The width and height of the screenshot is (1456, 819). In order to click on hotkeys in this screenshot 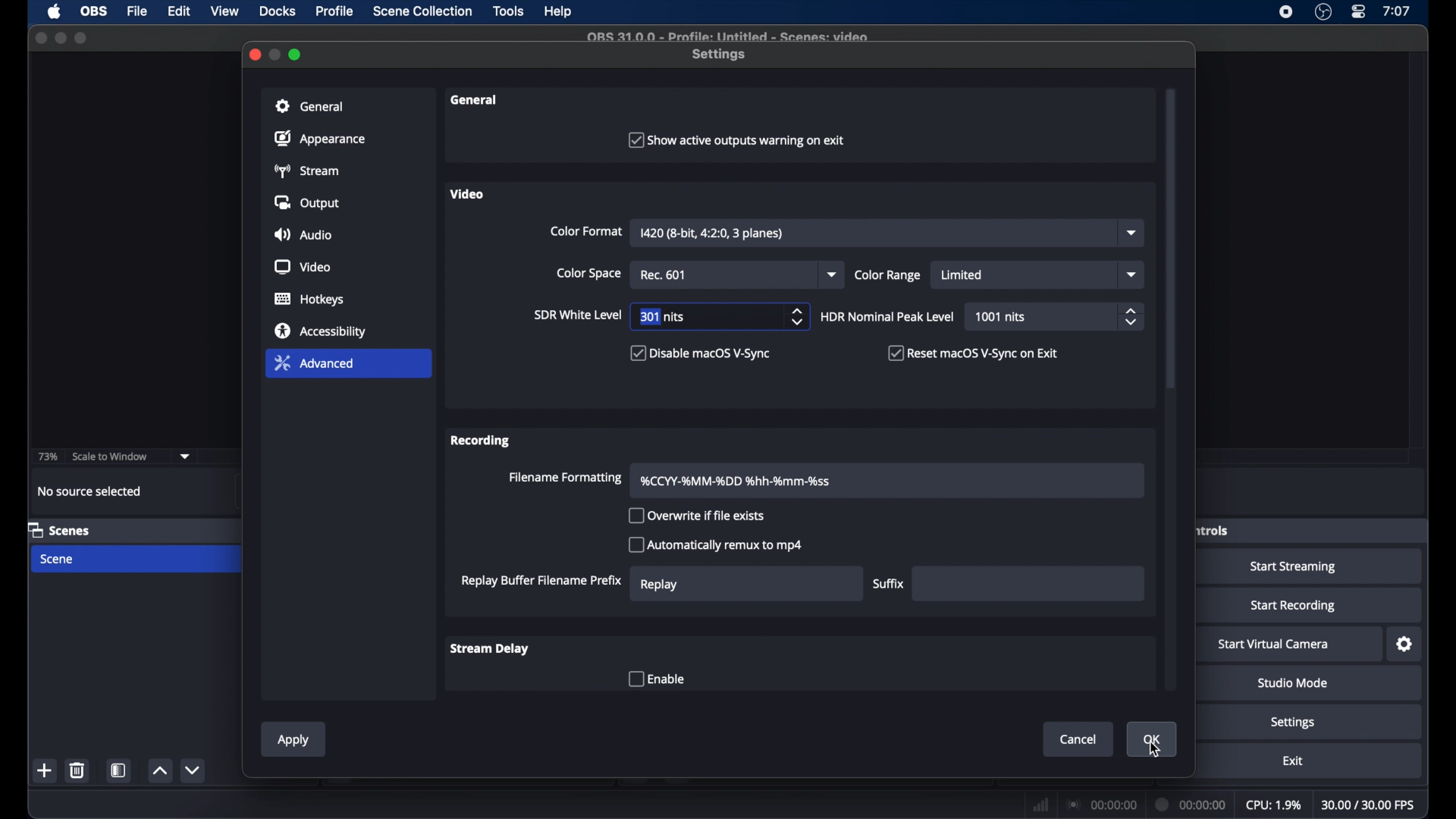, I will do `click(309, 299)`.